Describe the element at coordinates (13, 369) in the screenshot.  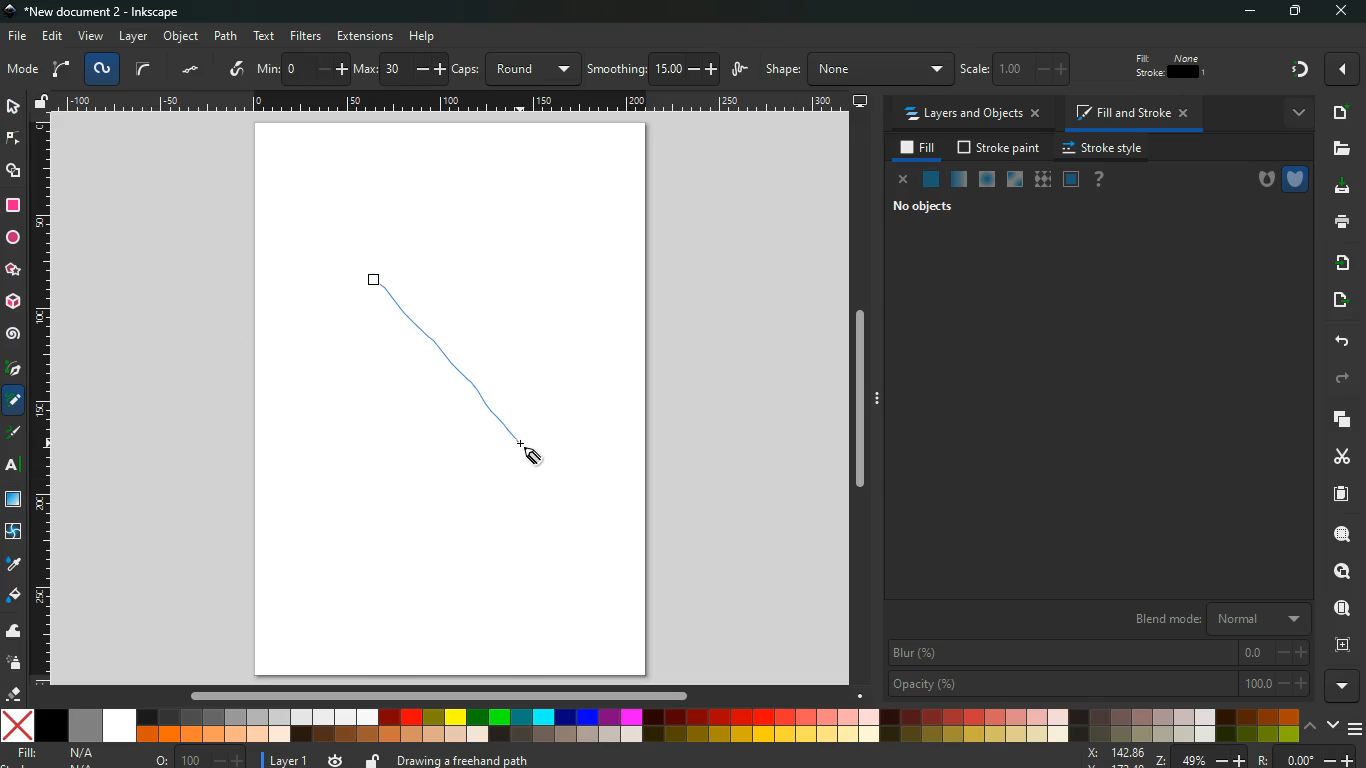
I see `pic` at that location.